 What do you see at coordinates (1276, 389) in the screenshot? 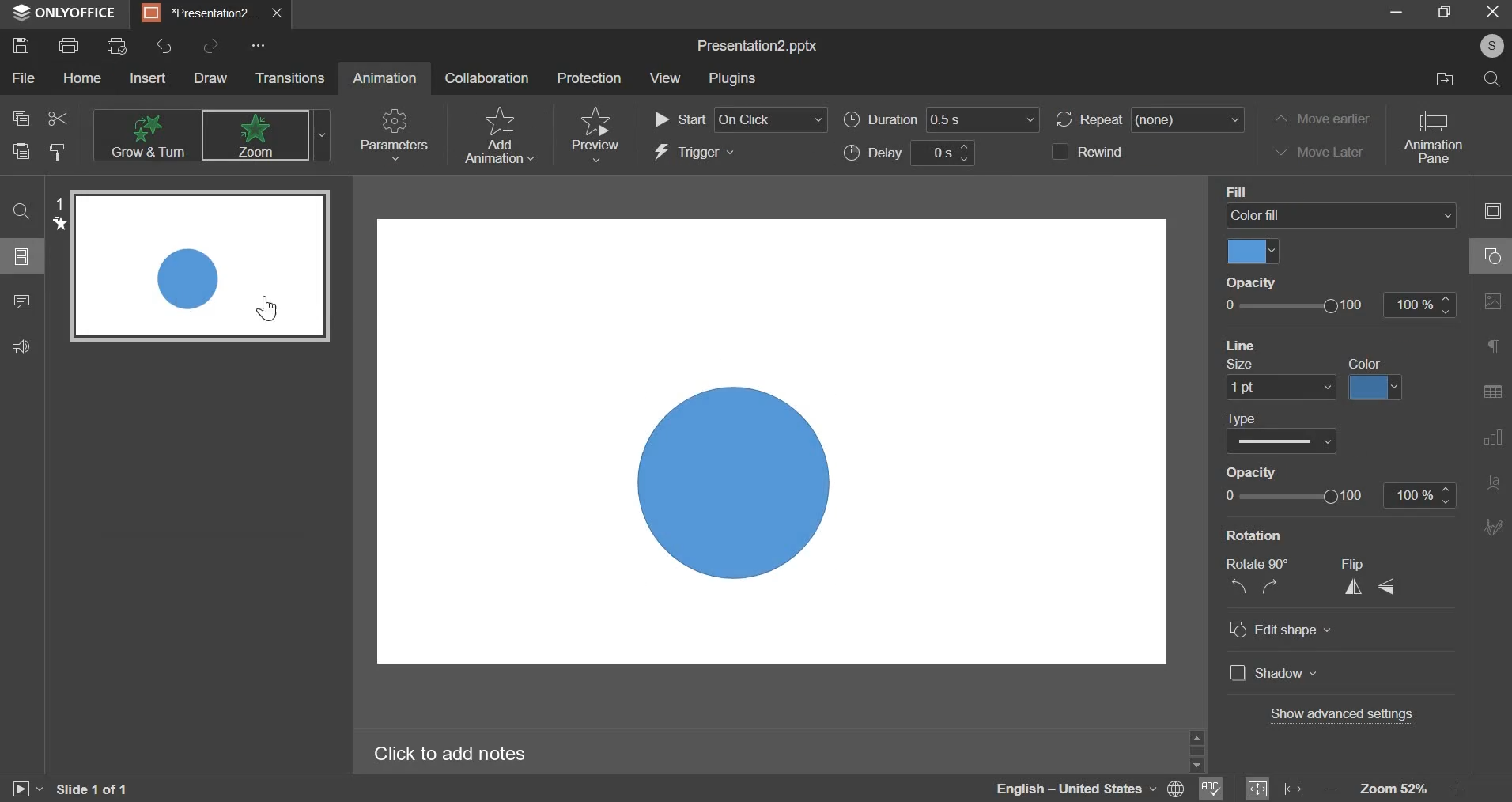
I see `line size` at bounding box center [1276, 389].